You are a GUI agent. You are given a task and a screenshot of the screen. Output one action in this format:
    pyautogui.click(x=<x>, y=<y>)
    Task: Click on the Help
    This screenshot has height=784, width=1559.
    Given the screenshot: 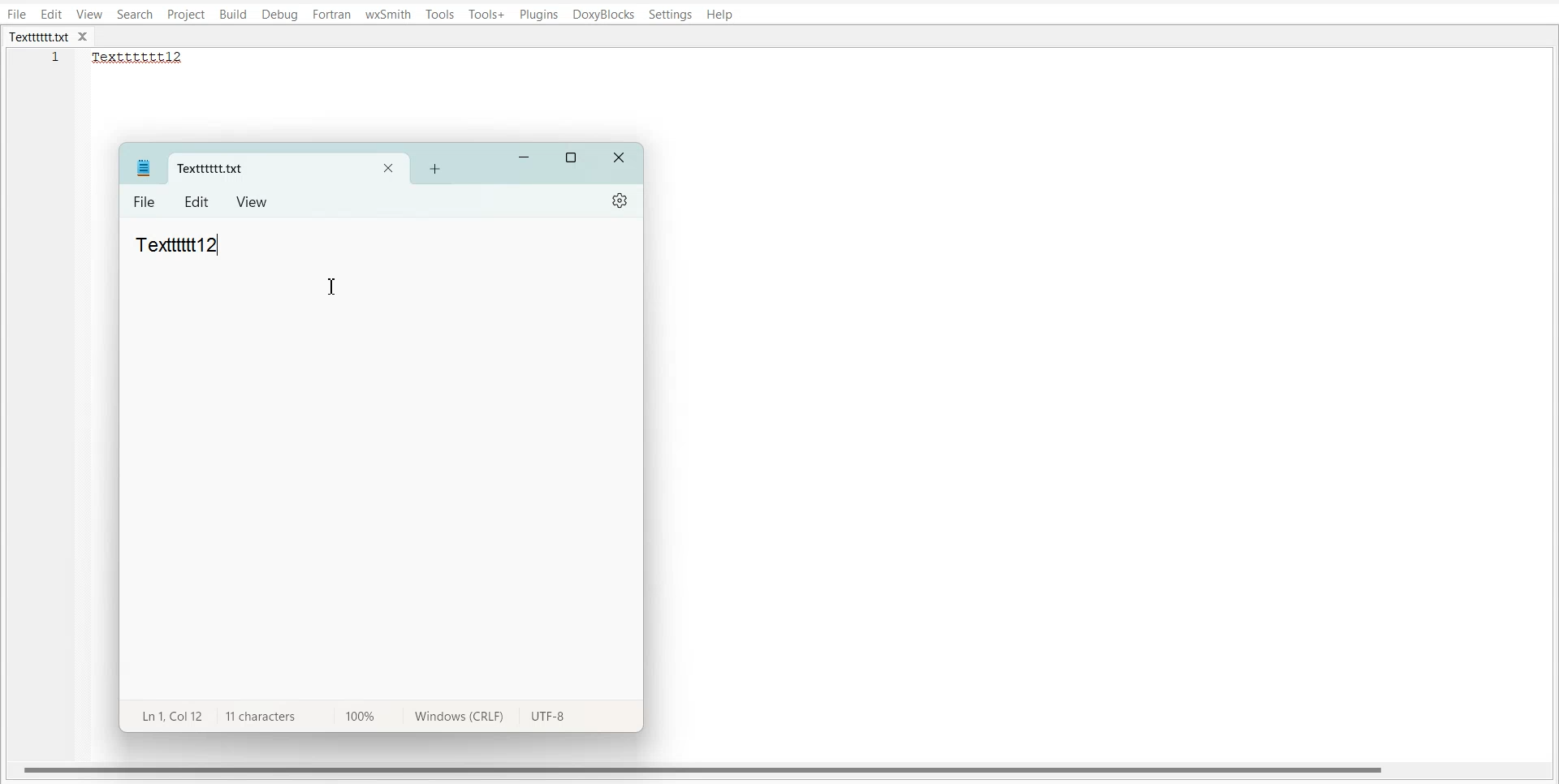 What is the action you would take?
    pyautogui.click(x=719, y=15)
    